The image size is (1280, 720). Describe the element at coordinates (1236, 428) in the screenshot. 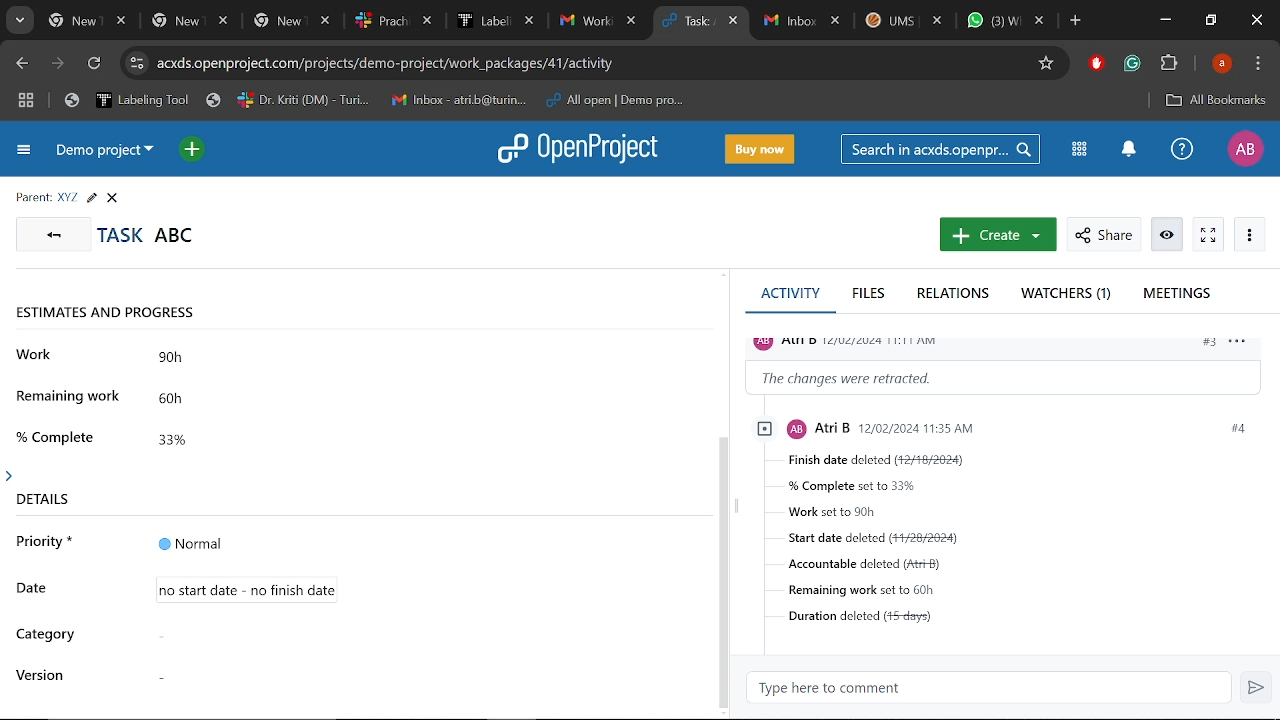

I see `#4` at that location.